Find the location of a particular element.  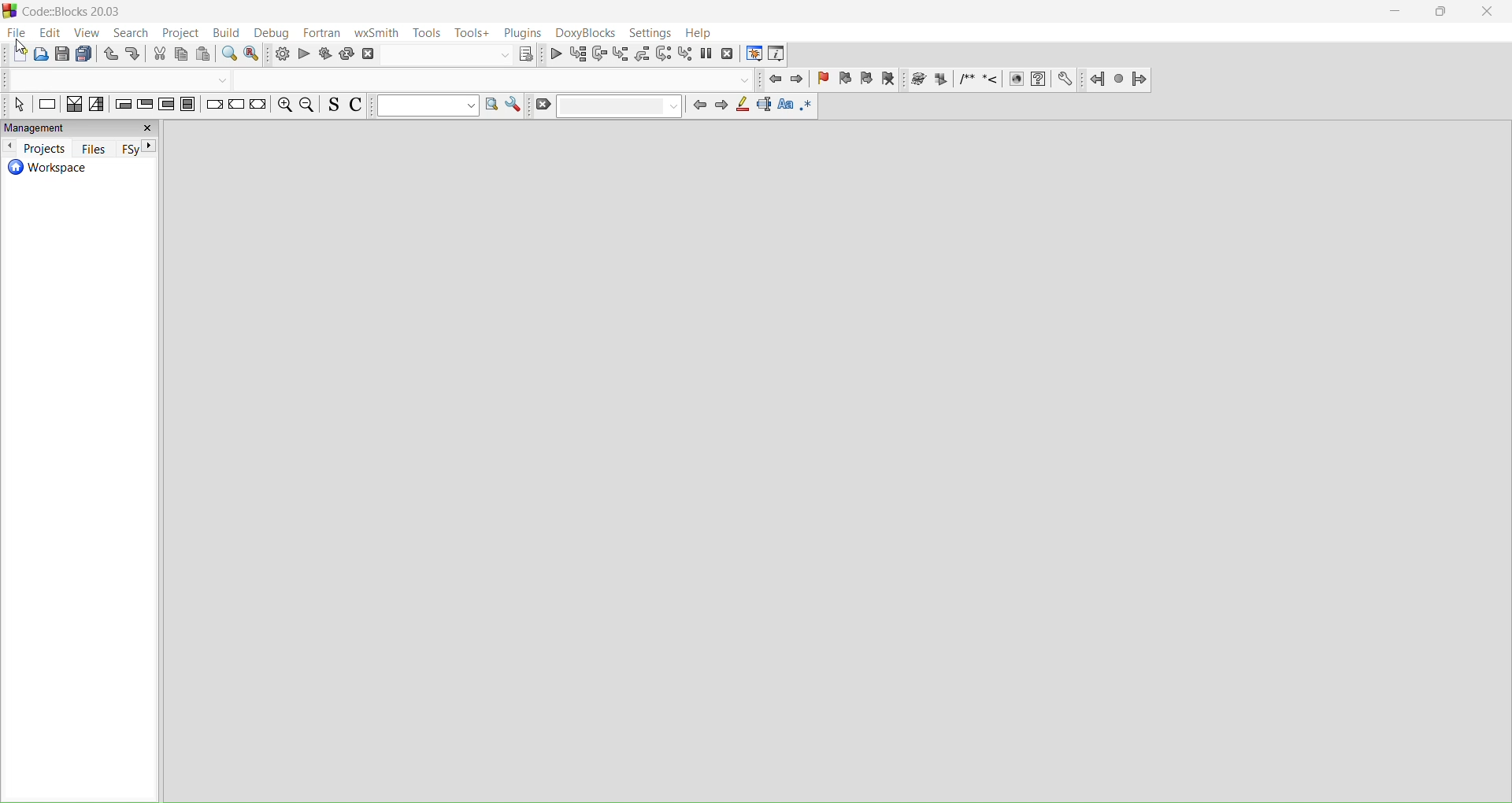

use regex is located at coordinates (808, 107).